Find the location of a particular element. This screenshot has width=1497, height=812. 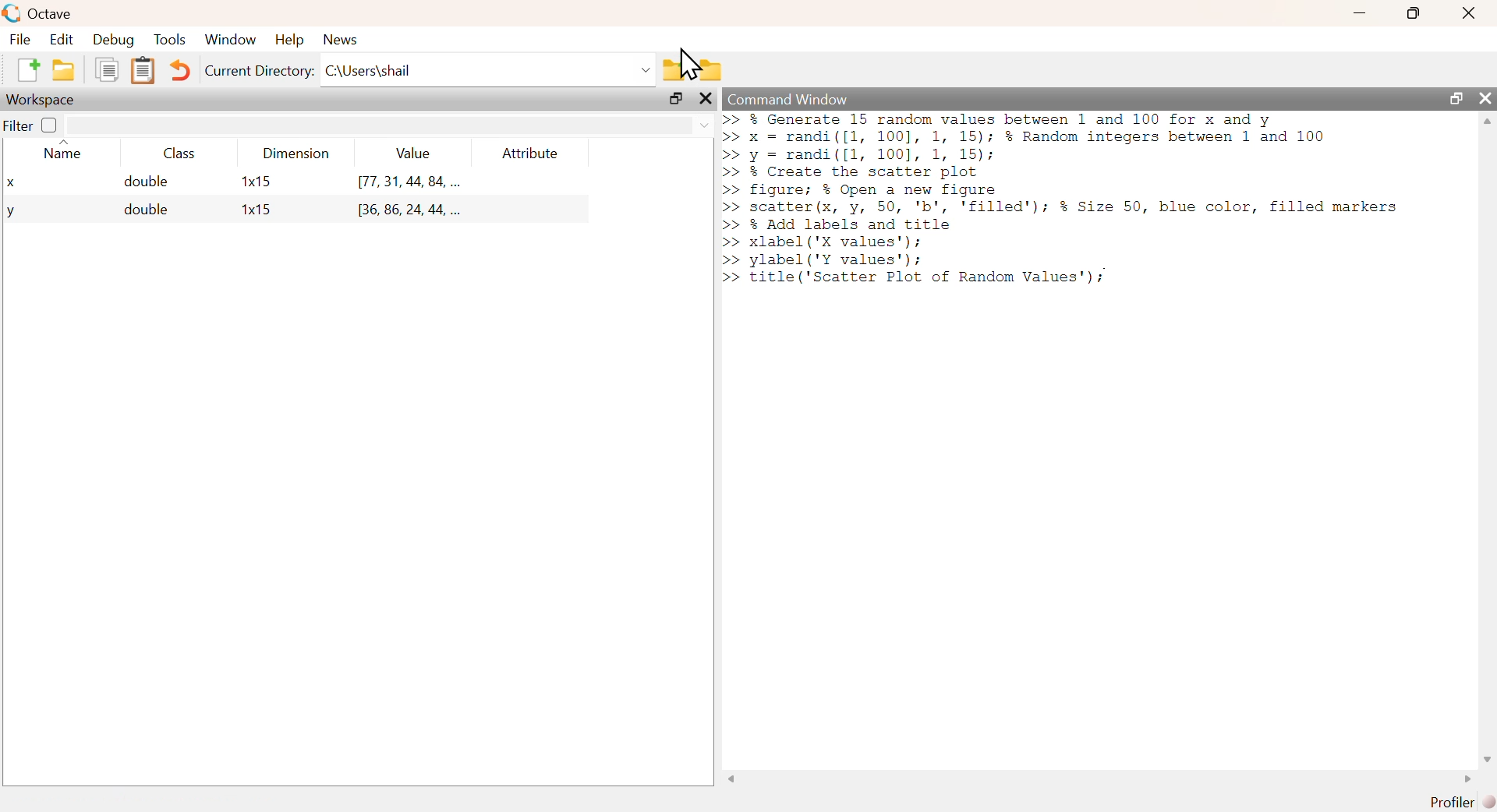

scroll left is located at coordinates (733, 778).